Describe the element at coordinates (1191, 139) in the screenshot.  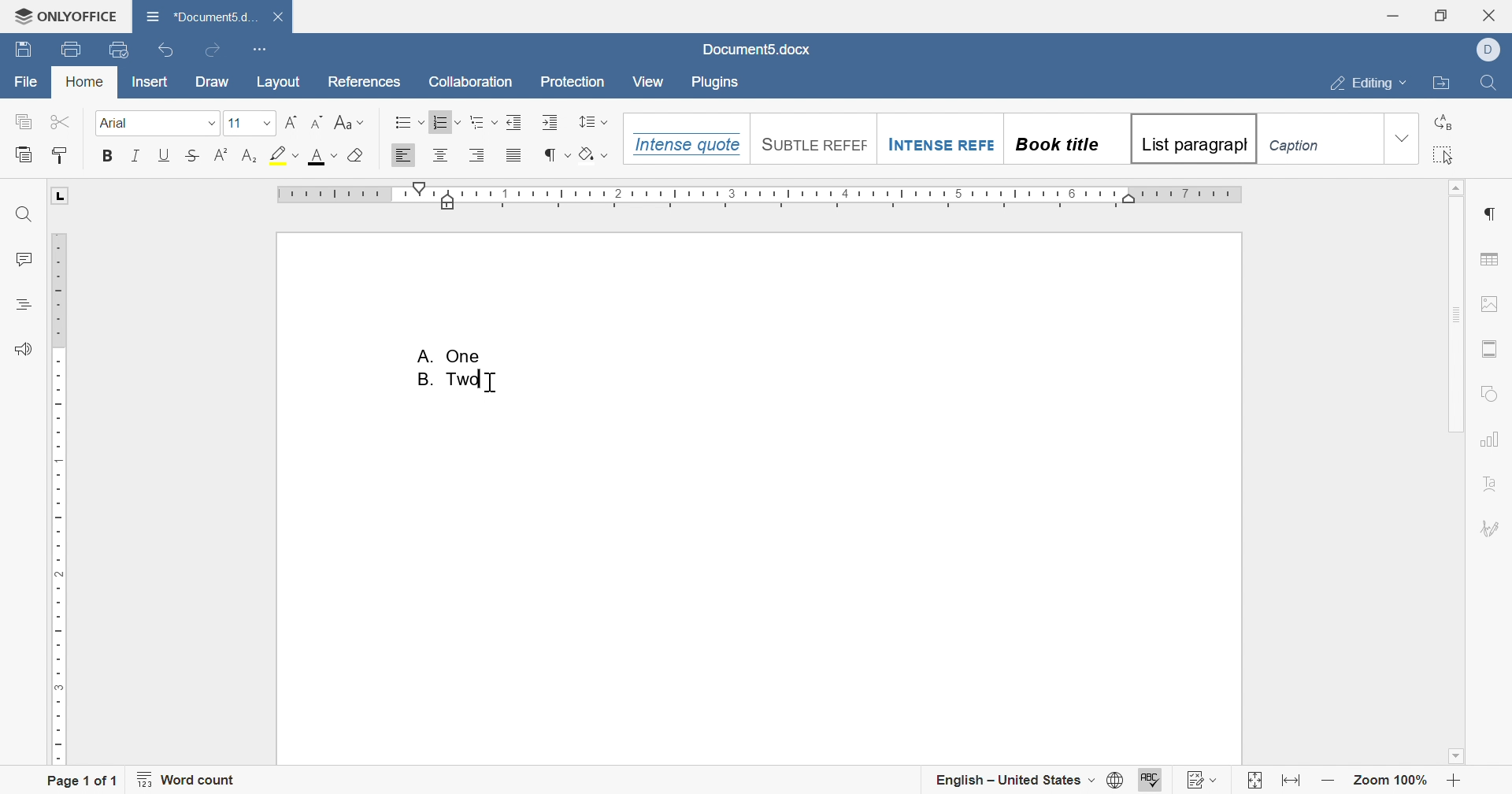
I see `List paragrapgh` at that location.